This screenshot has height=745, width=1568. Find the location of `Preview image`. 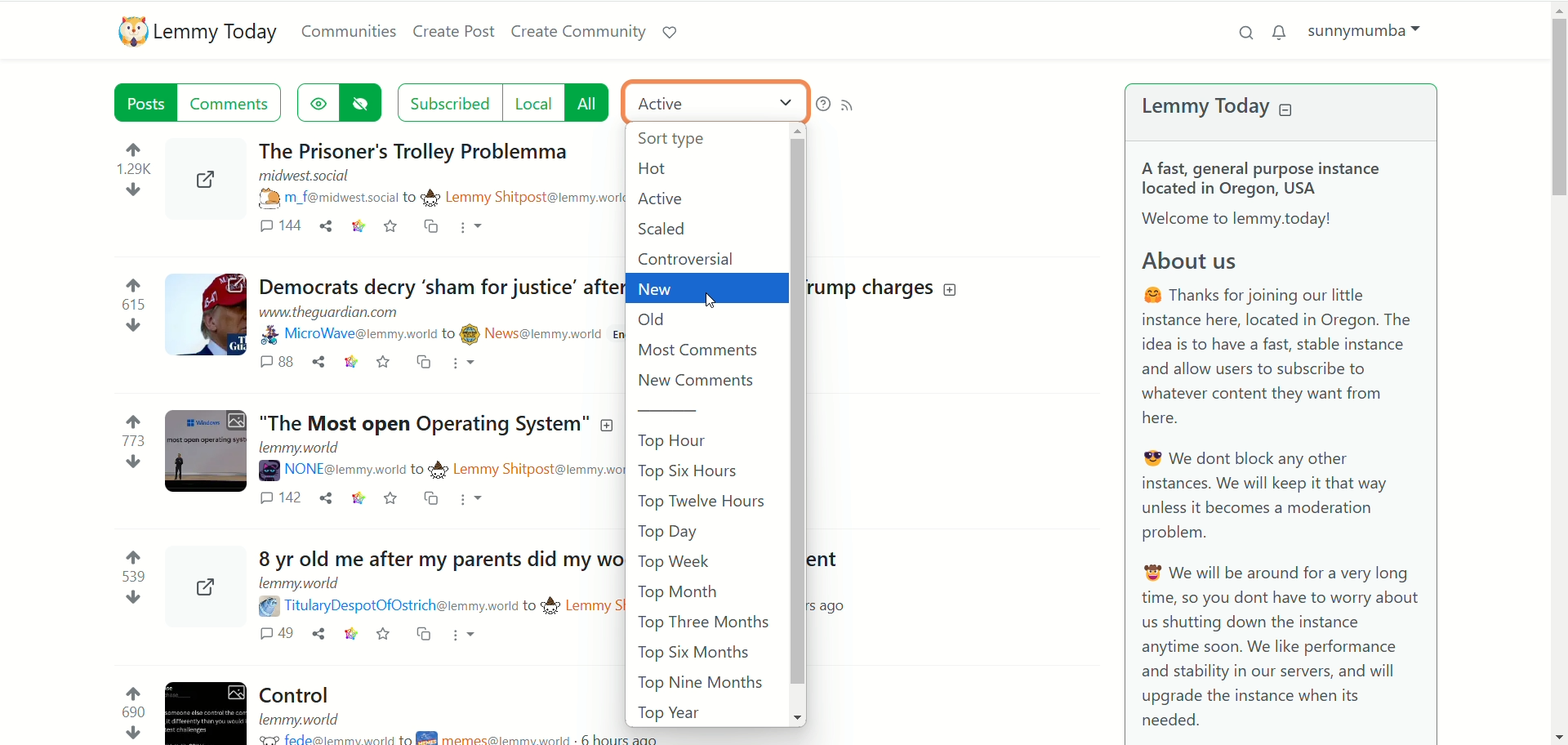

Preview image is located at coordinates (204, 316).